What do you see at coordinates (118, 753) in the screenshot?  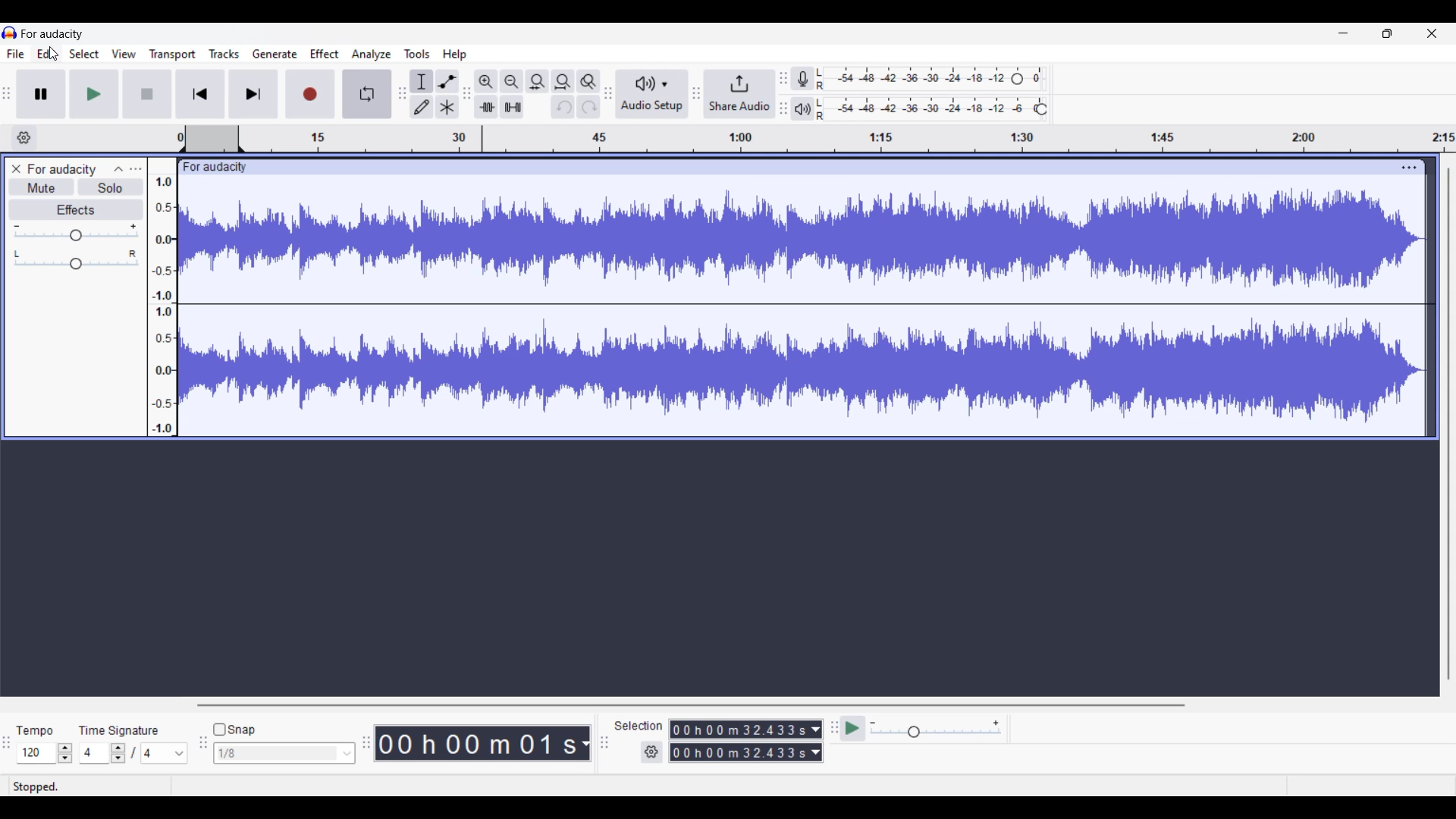 I see `Increase/Decrease number` at bounding box center [118, 753].